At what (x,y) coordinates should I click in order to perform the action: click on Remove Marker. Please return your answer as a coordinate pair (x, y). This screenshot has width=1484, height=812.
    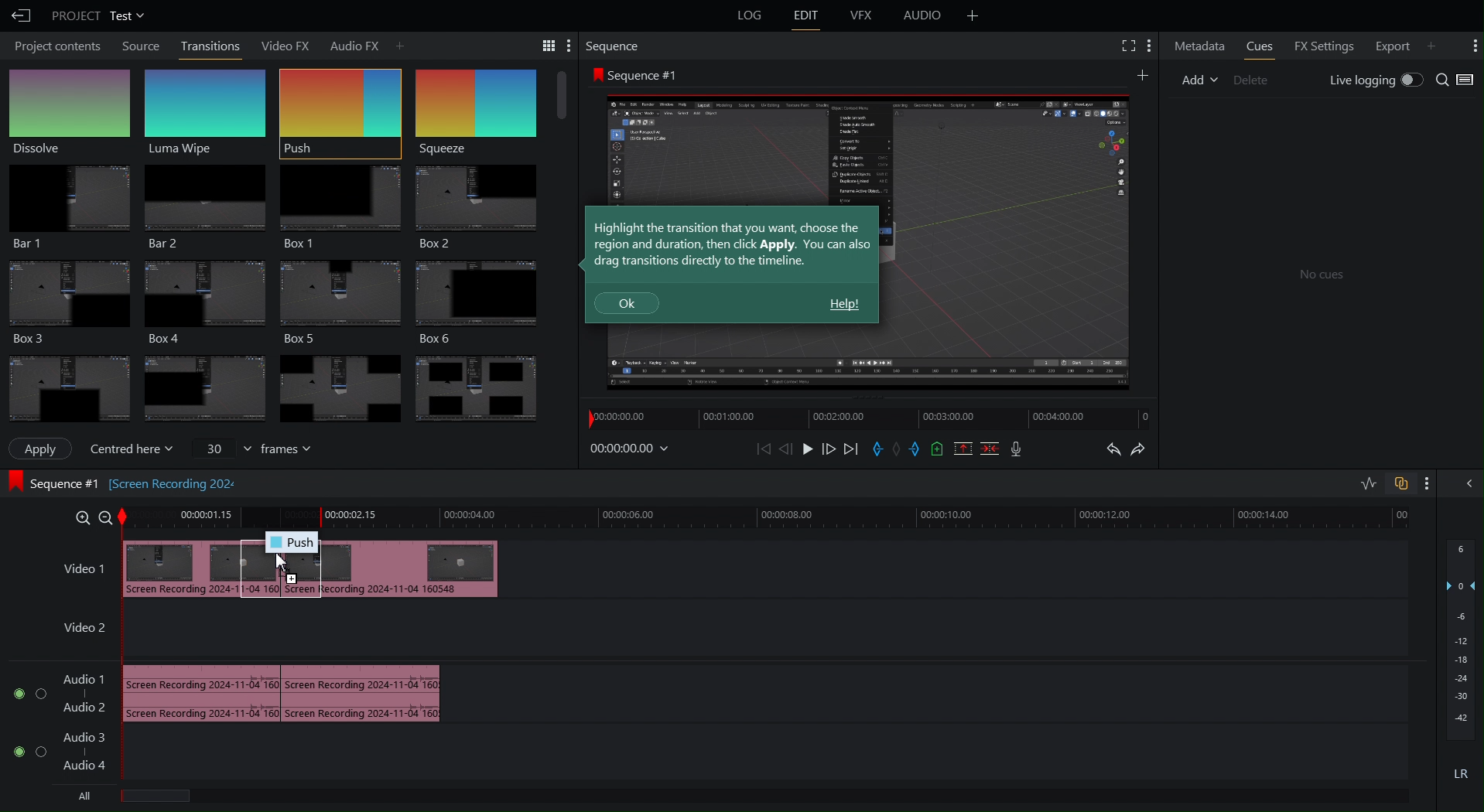
    Looking at the image, I should click on (899, 449).